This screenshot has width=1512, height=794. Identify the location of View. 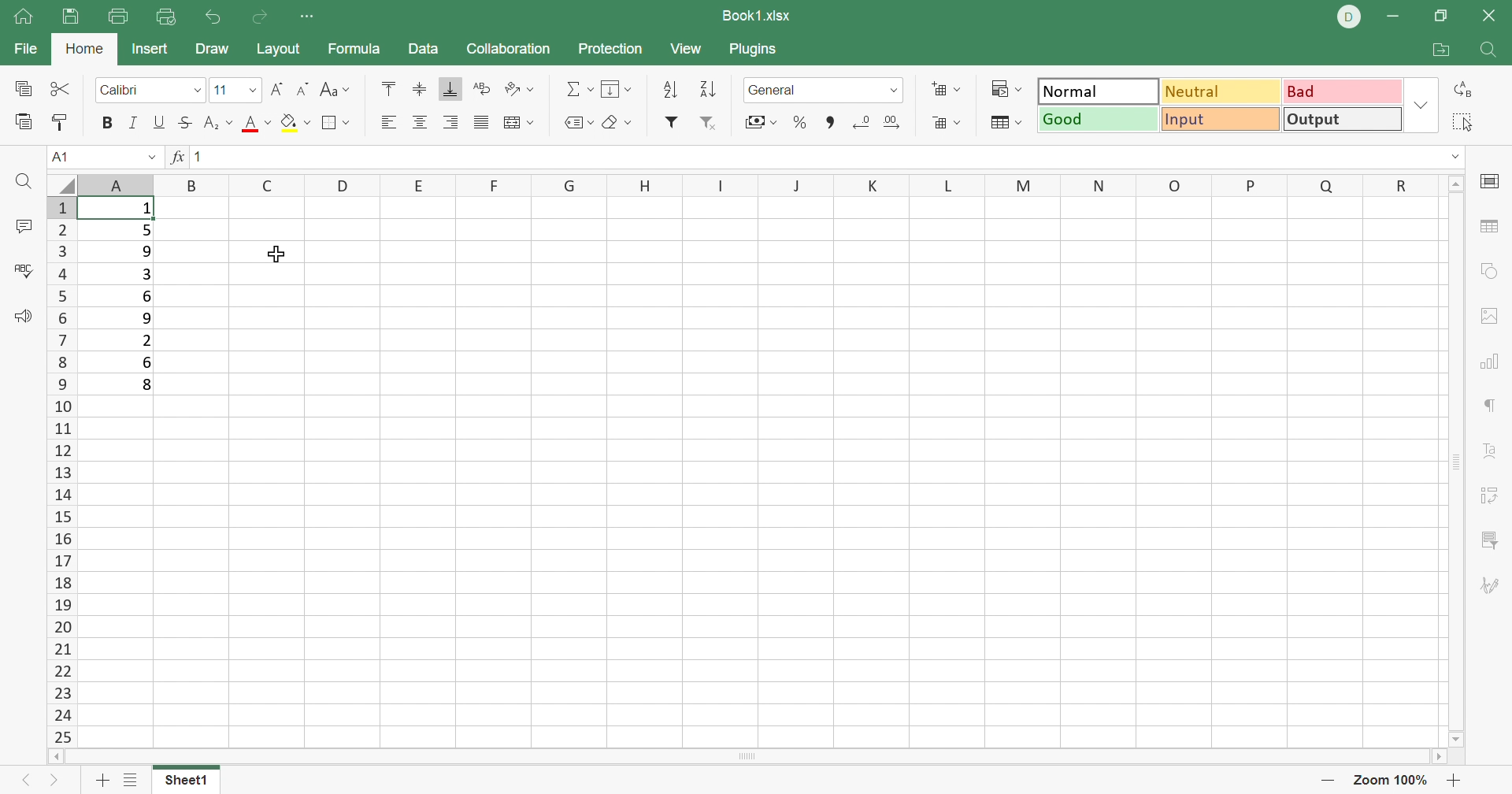
(687, 51).